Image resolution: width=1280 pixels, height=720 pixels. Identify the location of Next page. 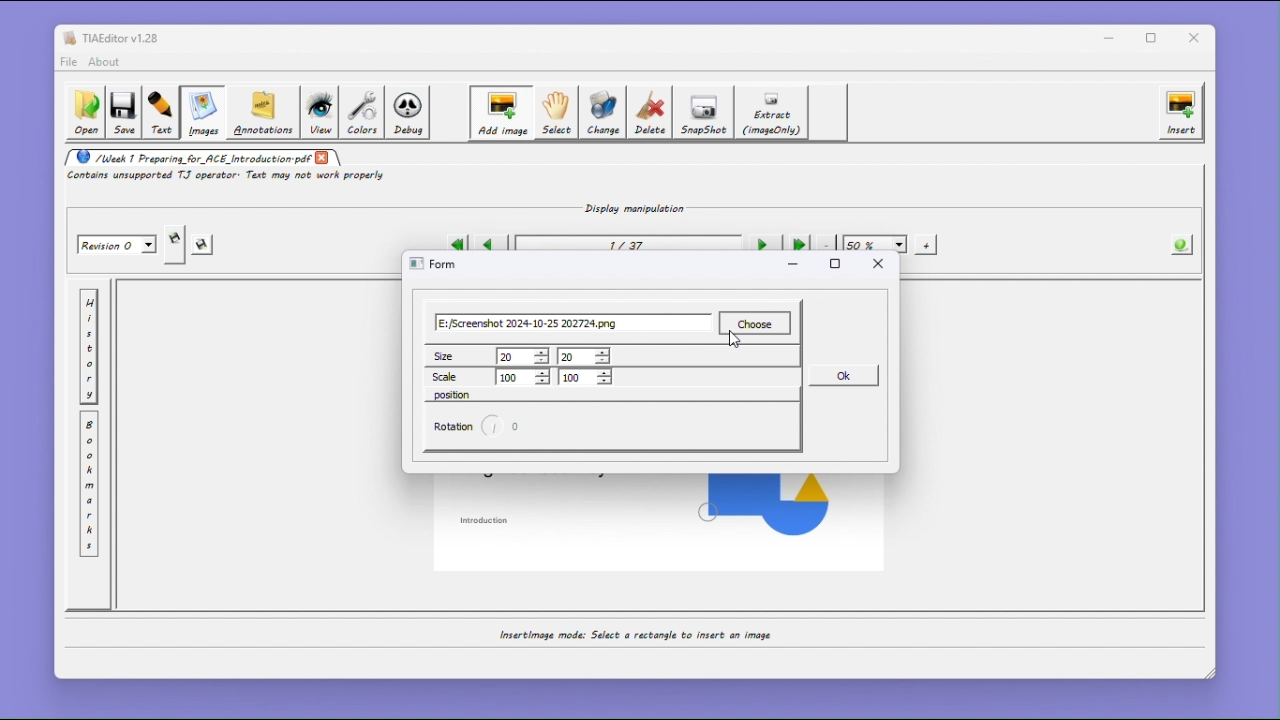
(762, 245).